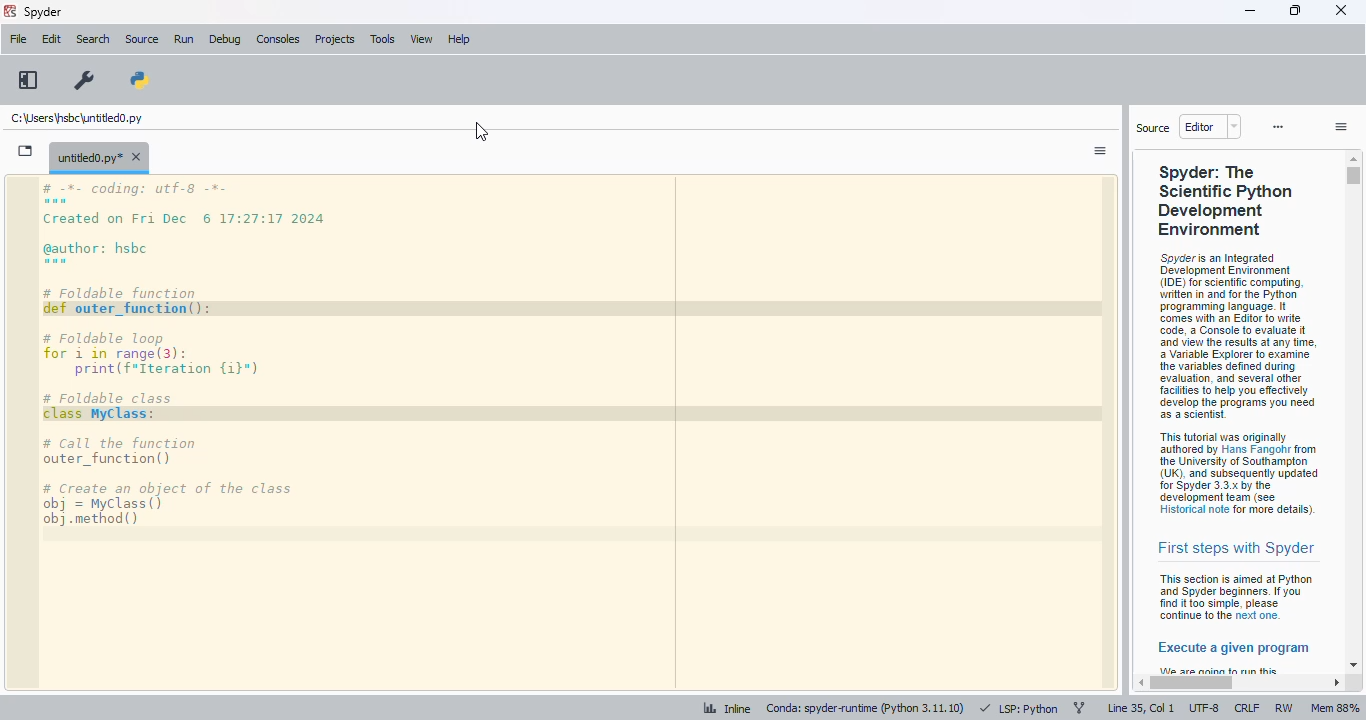 The width and height of the screenshot is (1366, 720). Describe the element at coordinates (336, 40) in the screenshot. I see `projects` at that location.